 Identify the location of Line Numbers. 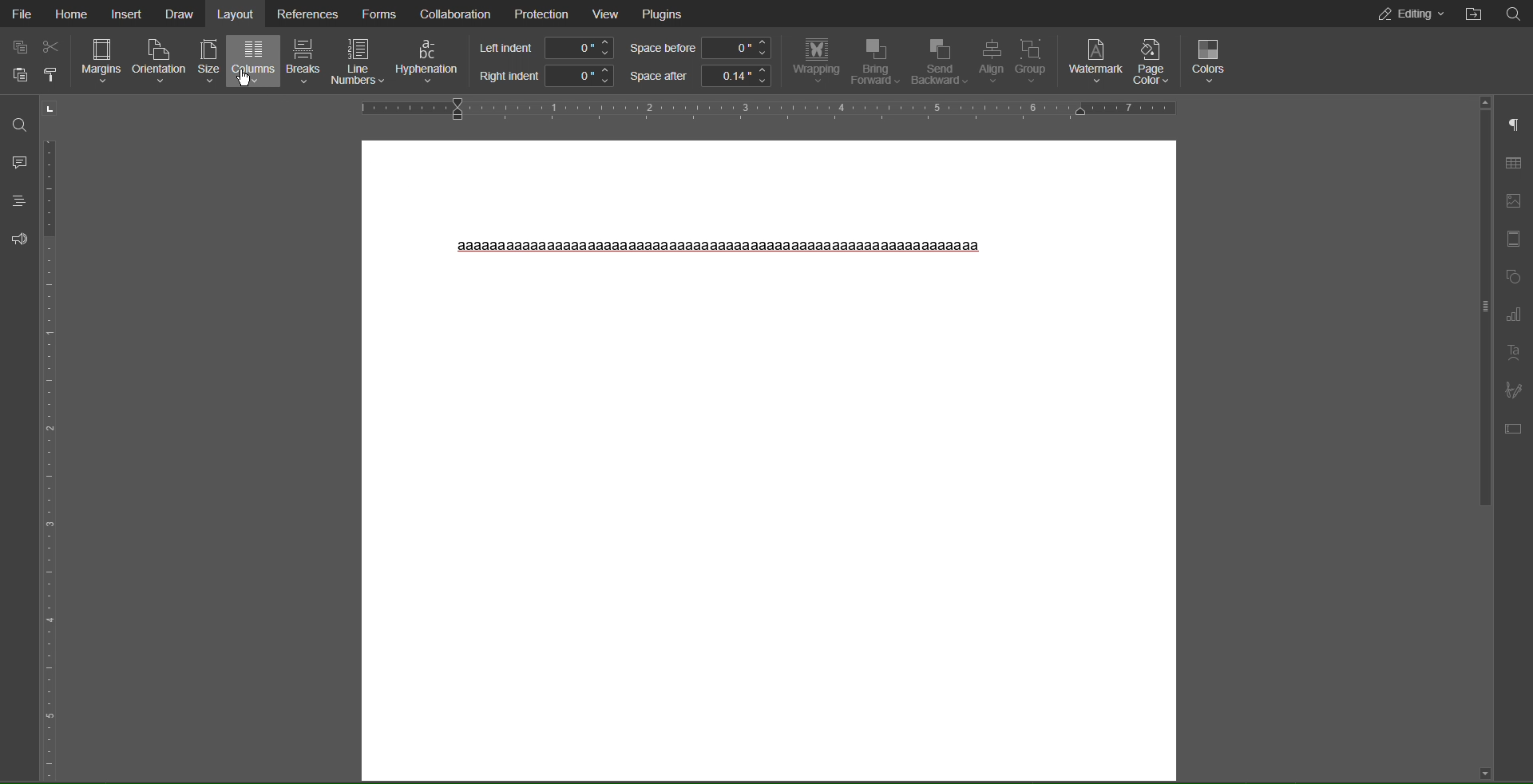
(358, 62).